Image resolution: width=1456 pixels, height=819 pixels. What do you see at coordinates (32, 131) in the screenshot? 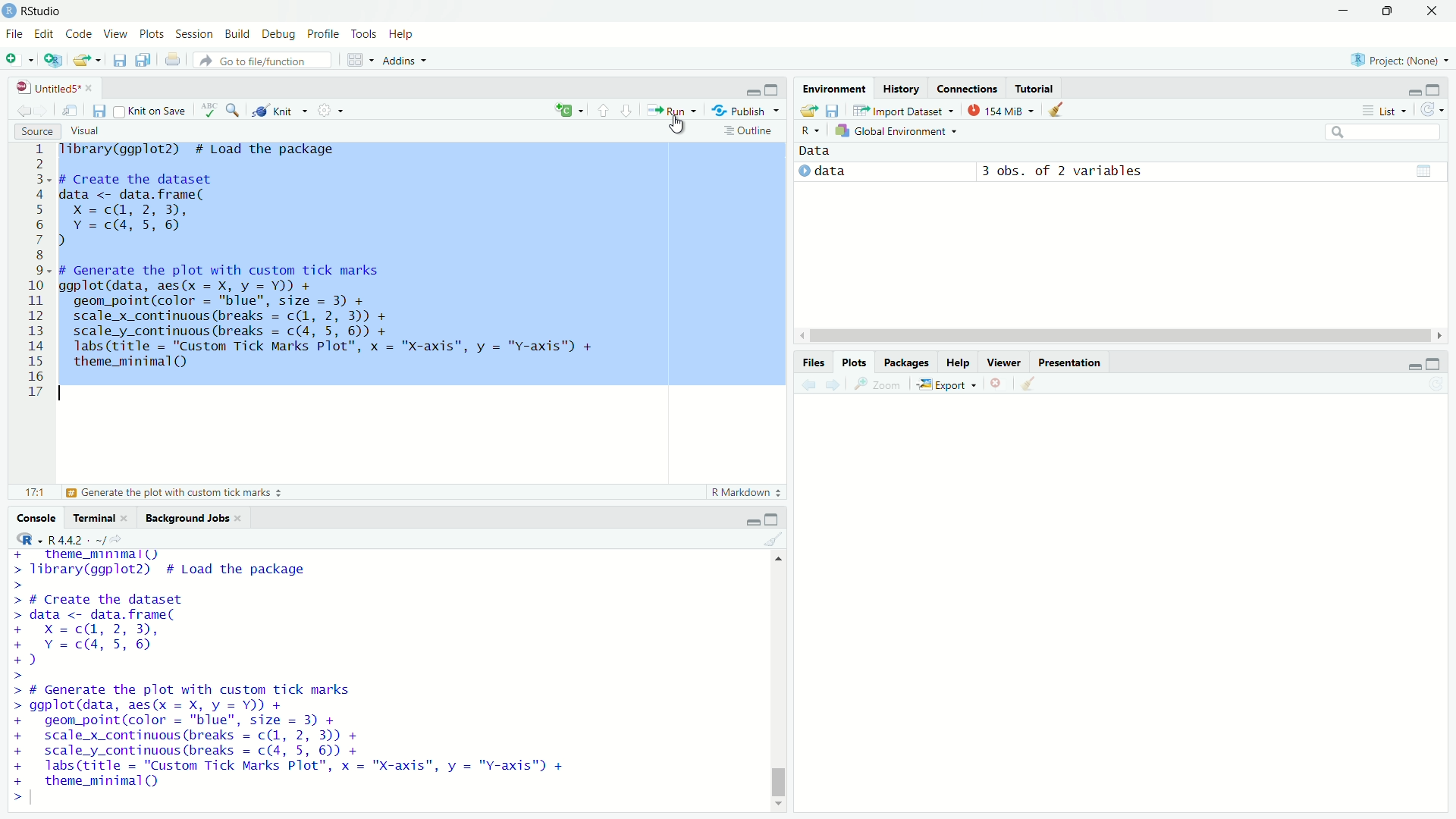
I see `source` at bounding box center [32, 131].